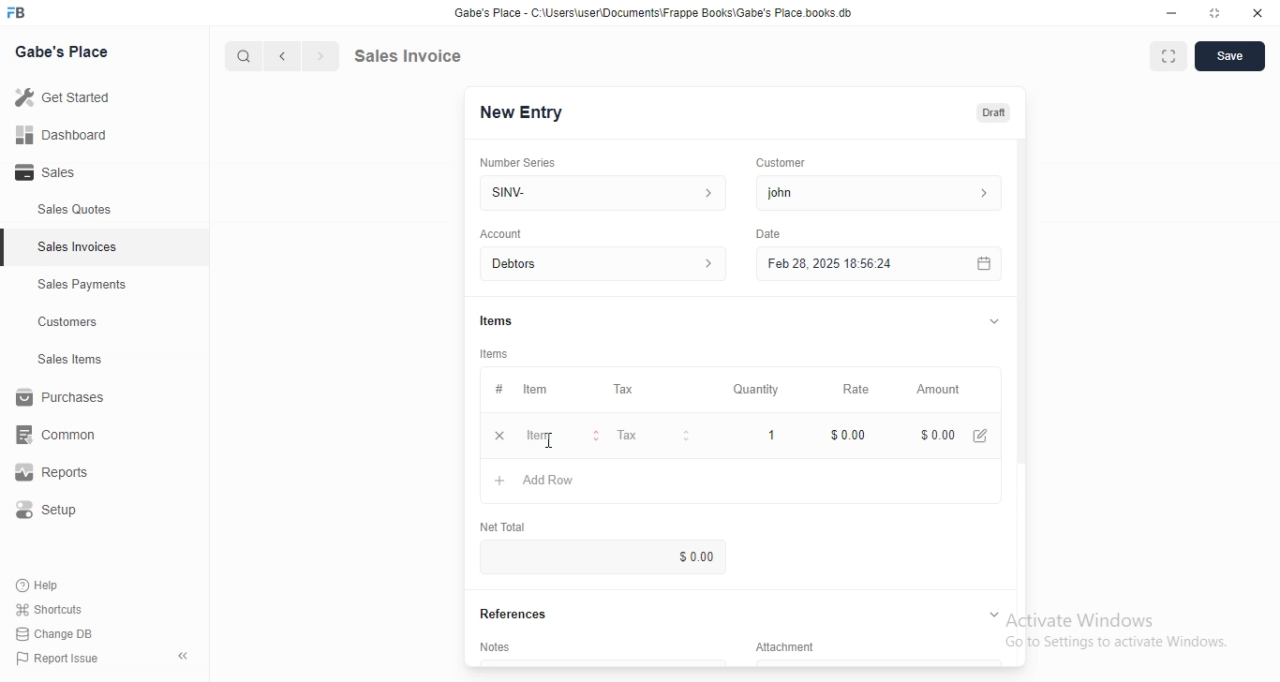  Describe the element at coordinates (57, 513) in the screenshot. I see `Setup` at that location.